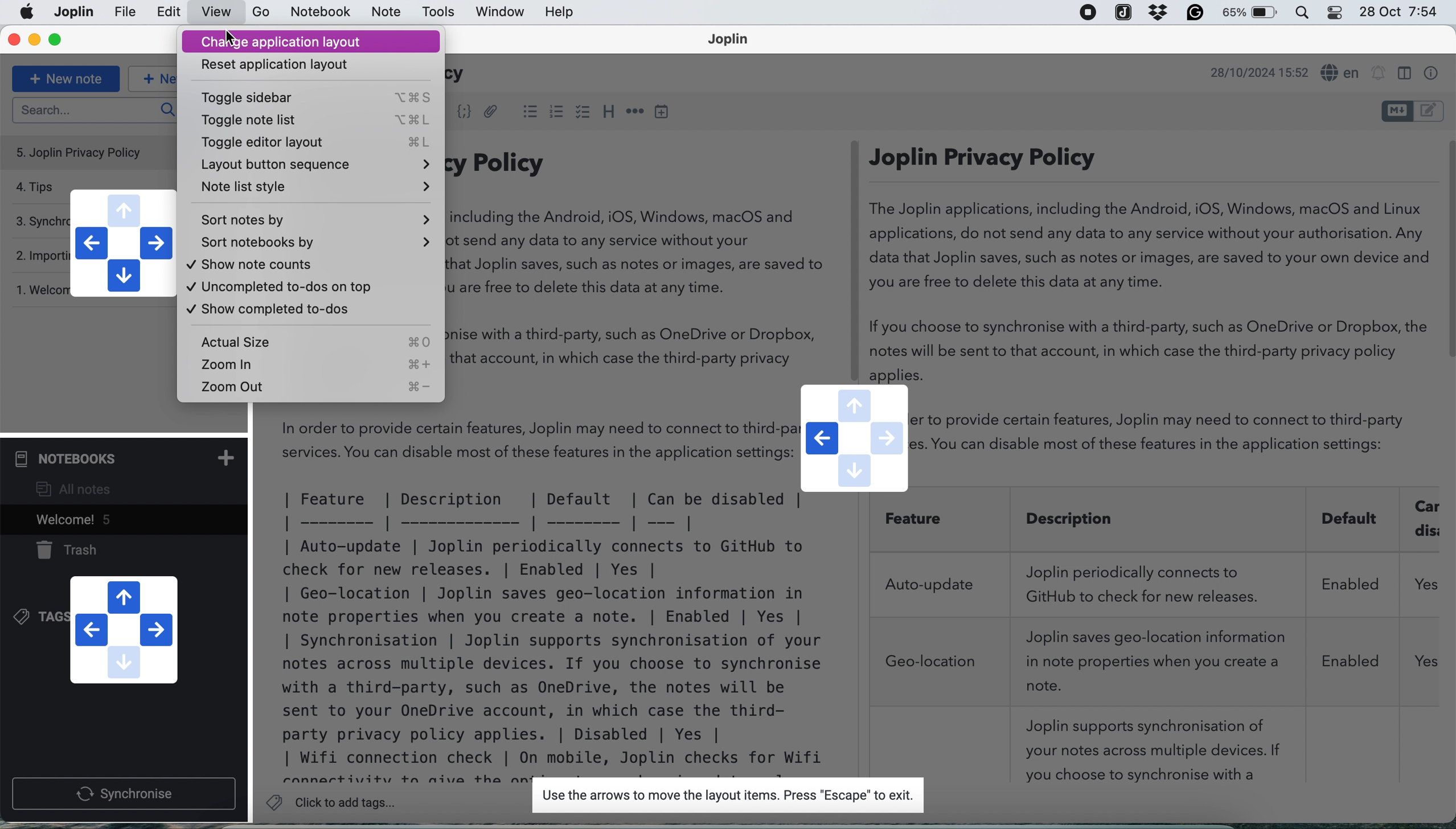 This screenshot has height=829, width=1456. I want to click on Sort notebooks by, so click(314, 244).